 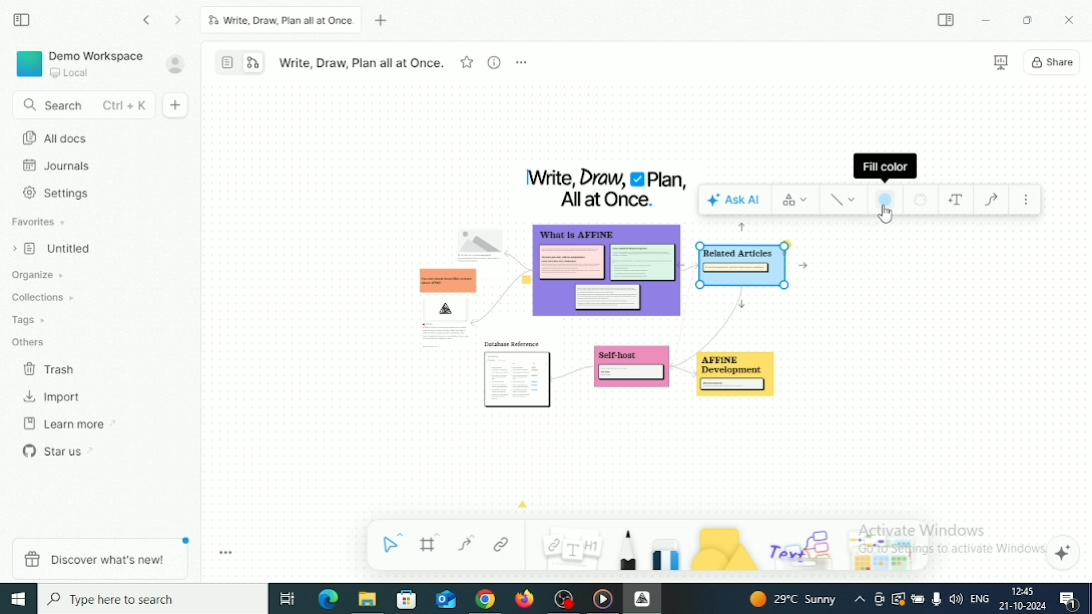 I want to click on Expand sidebar, so click(x=947, y=20).